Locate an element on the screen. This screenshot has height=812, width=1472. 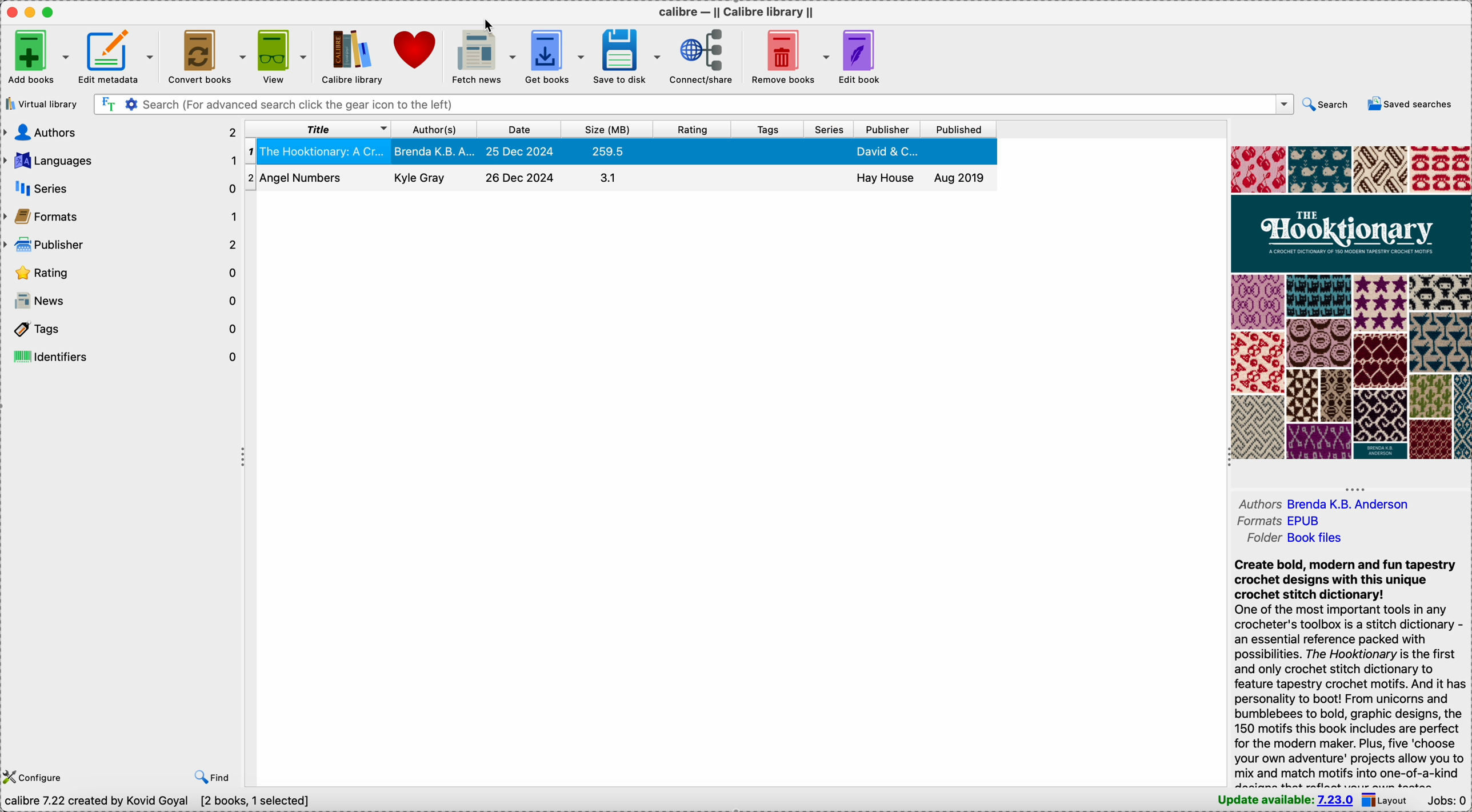
published is located at coordinates (959, 130).